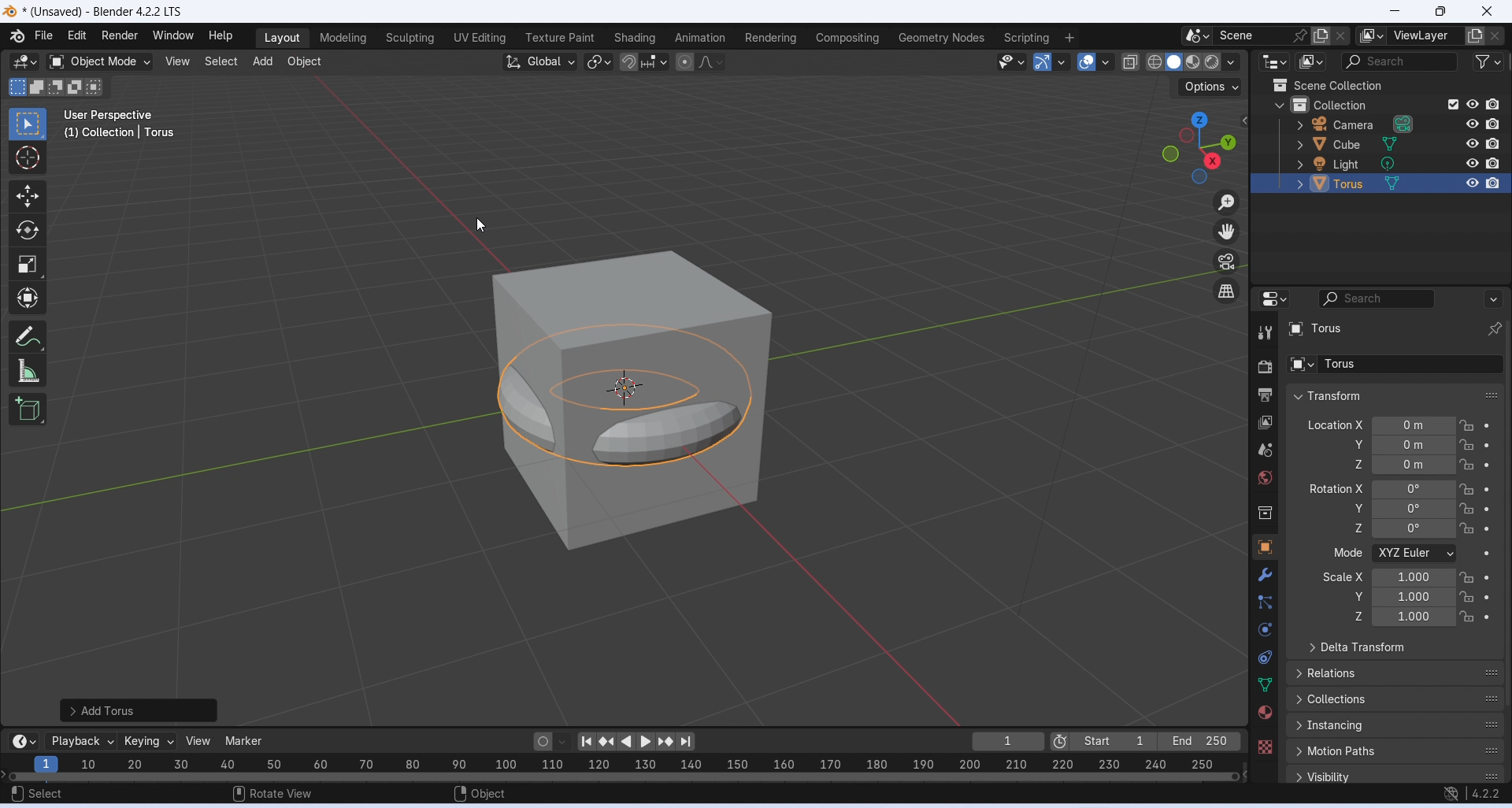 The width and height of the screenshot is (1512, 808). I want to click on Window, so click(172, 35).